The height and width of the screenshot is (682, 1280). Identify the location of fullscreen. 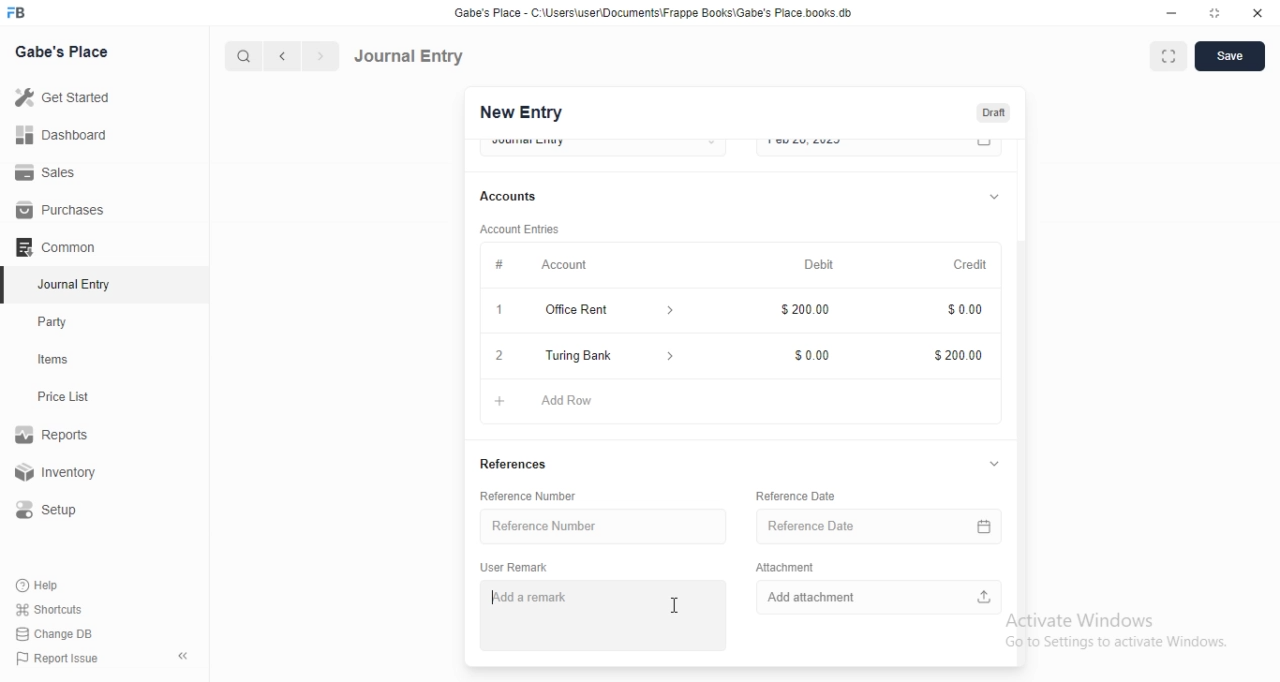
(1166, 57).